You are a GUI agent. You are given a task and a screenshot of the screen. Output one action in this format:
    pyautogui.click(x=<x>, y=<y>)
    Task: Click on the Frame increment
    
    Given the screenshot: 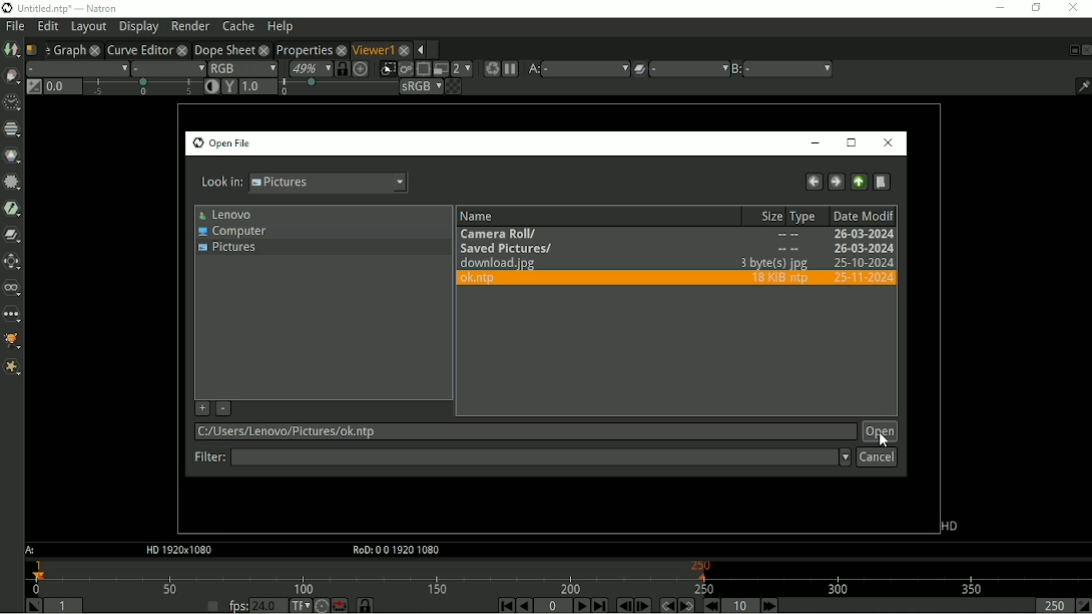 What is the action you would take?
    pyautogui.click(x=742, y=605)
    